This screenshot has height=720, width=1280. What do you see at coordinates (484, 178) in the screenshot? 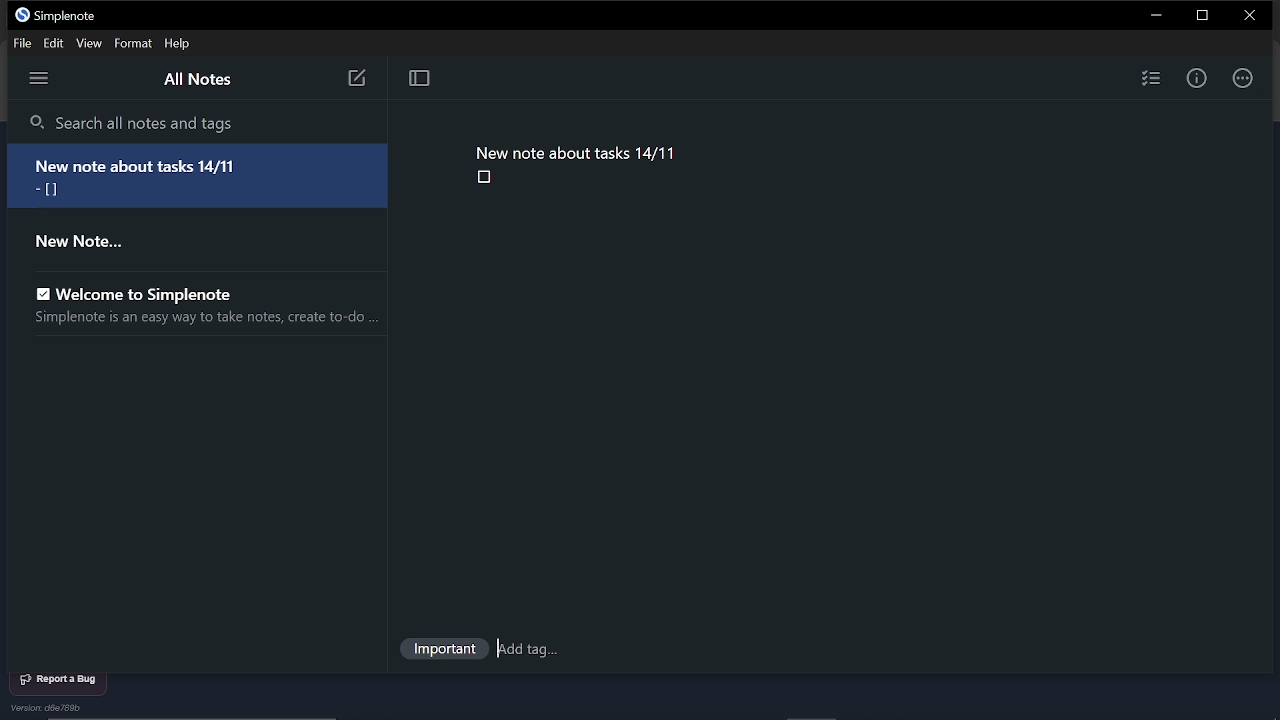
I see `checkbox` at bounding box center [484, 178].